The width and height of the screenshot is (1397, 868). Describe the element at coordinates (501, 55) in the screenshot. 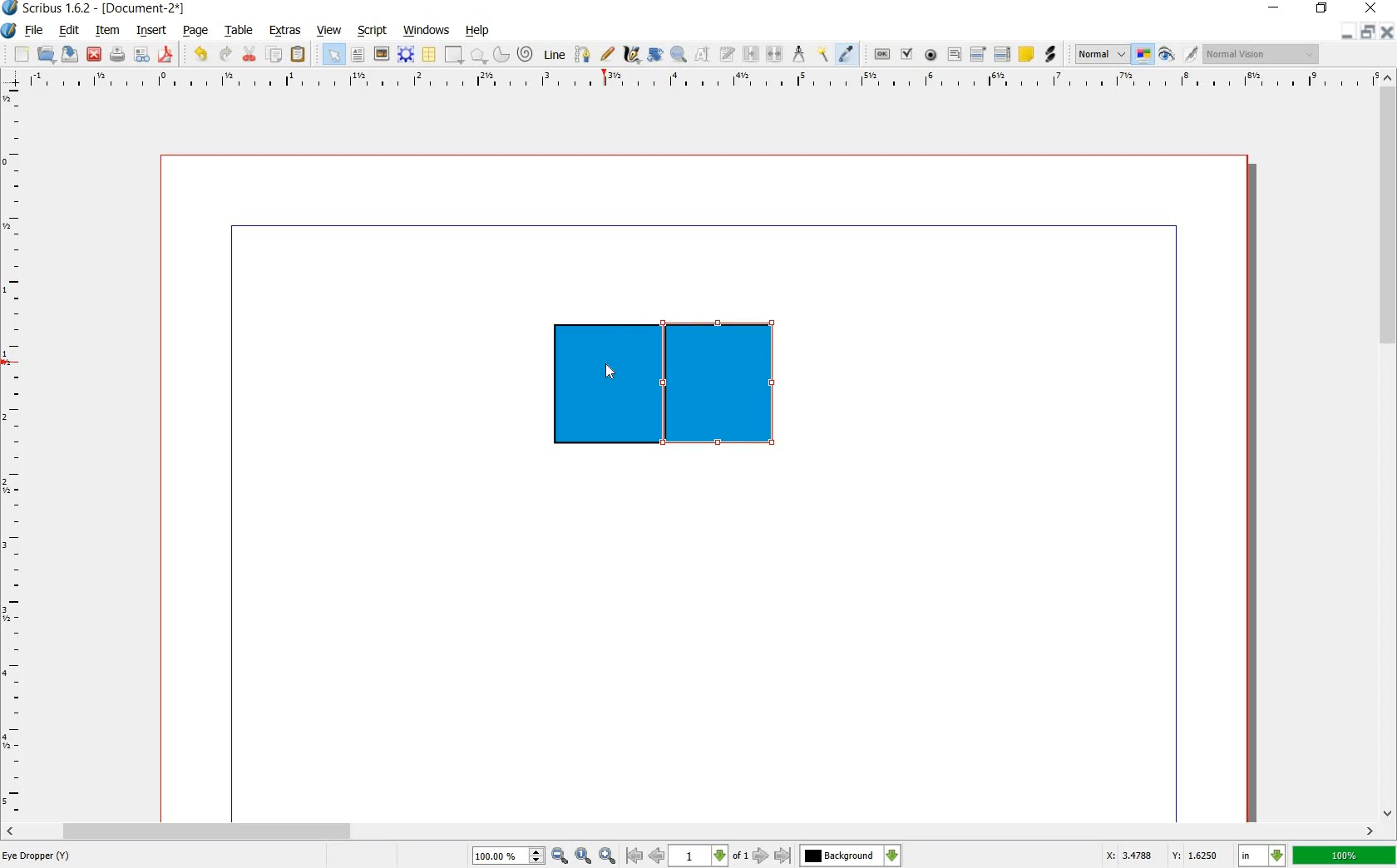

I see `arc` at that location.